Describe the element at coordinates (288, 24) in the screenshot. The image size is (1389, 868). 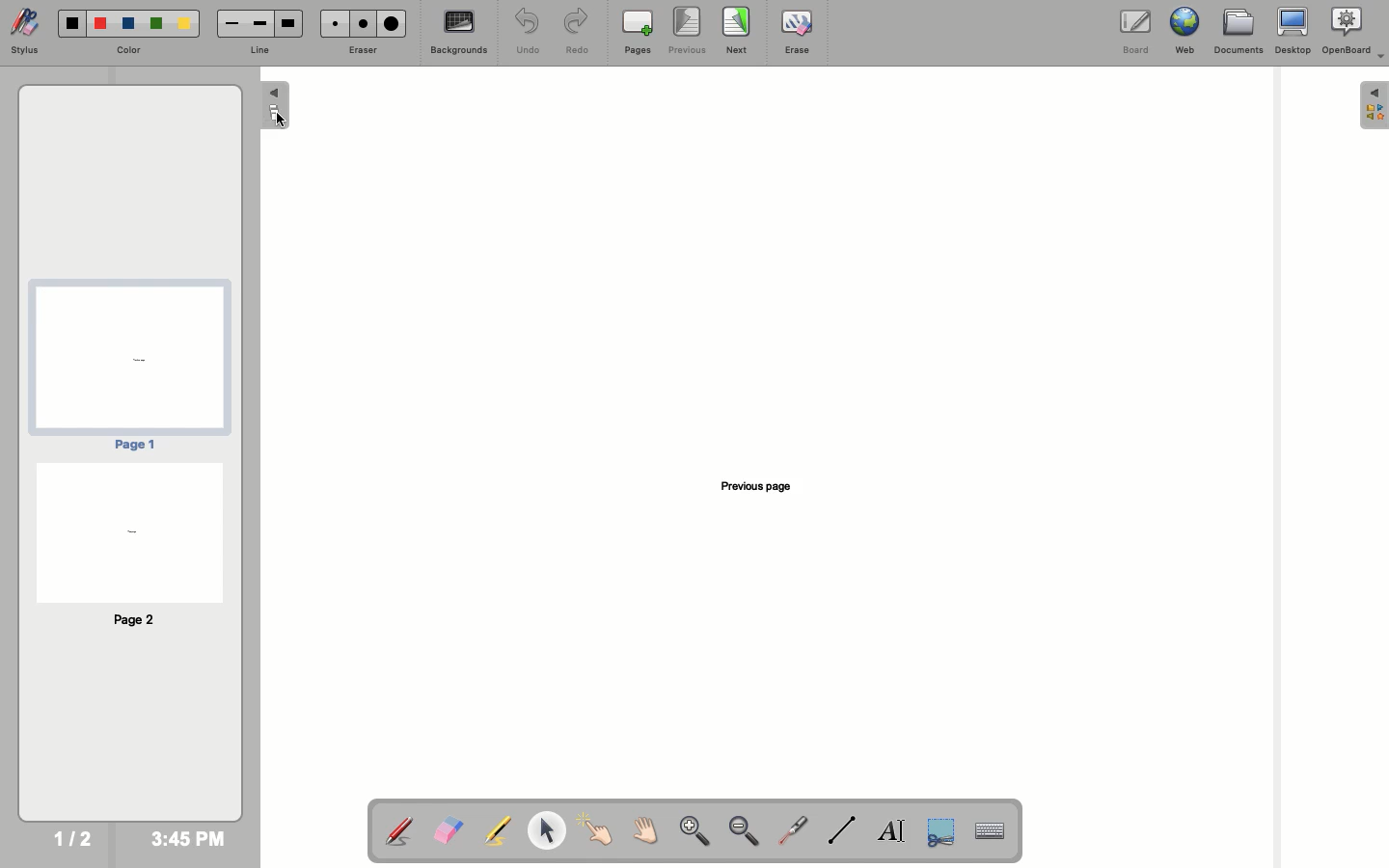
I see `Large line` at that location.